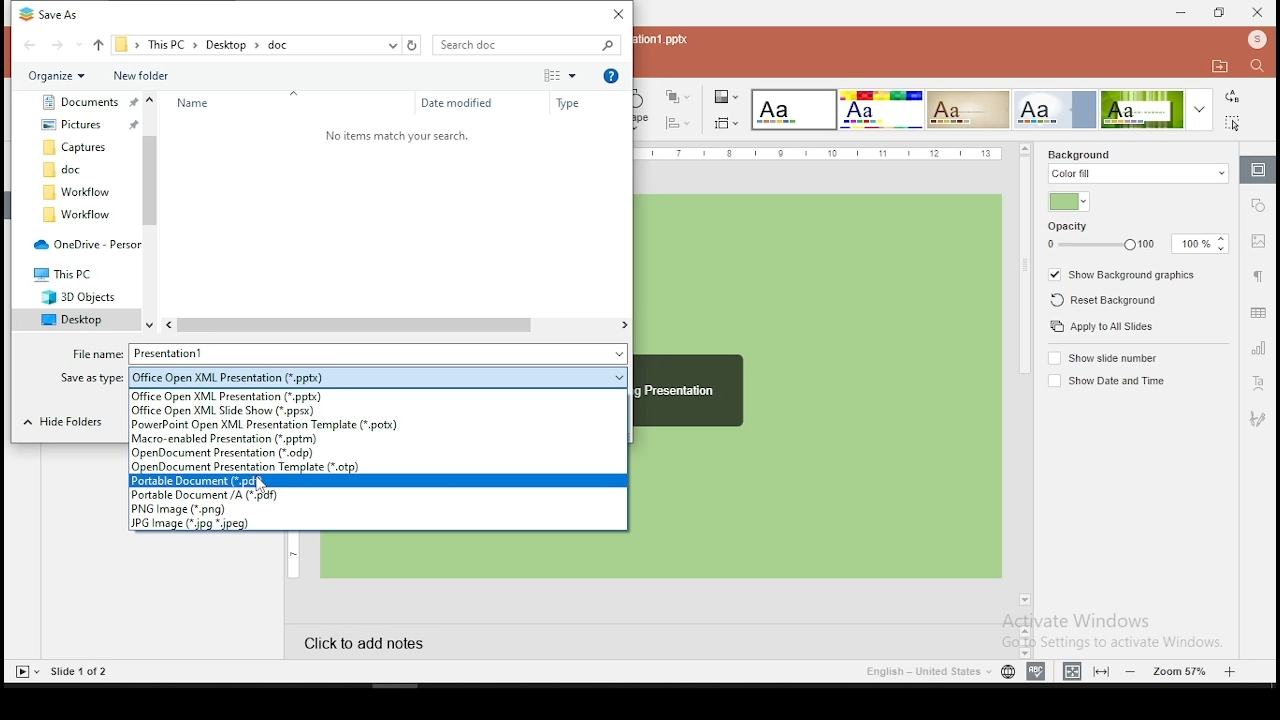 The width and height of the screenshot is (1280, 720). What do you see at coordinates (1258, 243) in the screenshot?
I see `image settings` at bounding box center [1258, 243].